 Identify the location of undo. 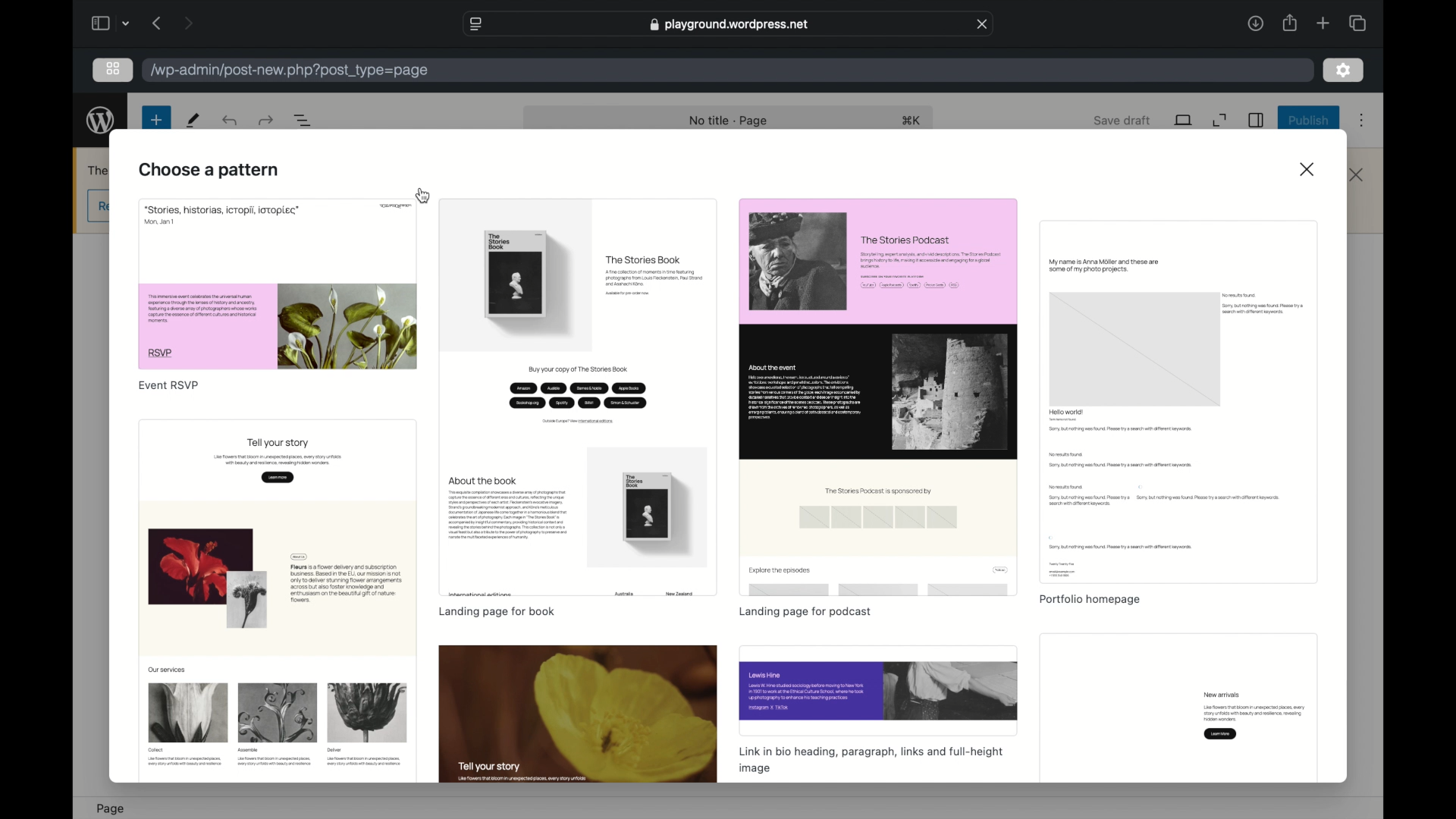
(268, 120).